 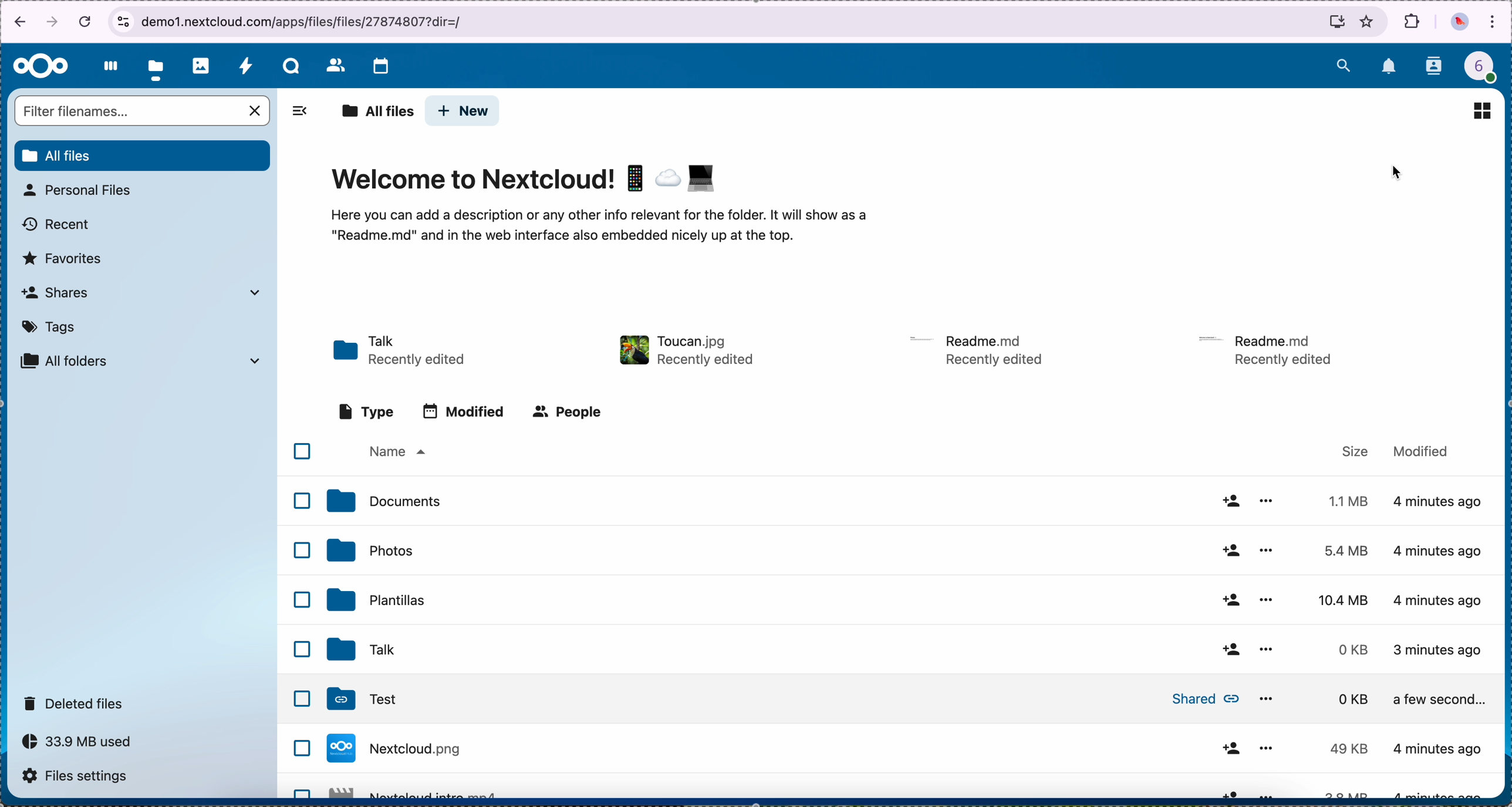 What do you see at coordinates (1390, 67) in the screenshot?
I see `notifications` at bounding box center [1390, 67].